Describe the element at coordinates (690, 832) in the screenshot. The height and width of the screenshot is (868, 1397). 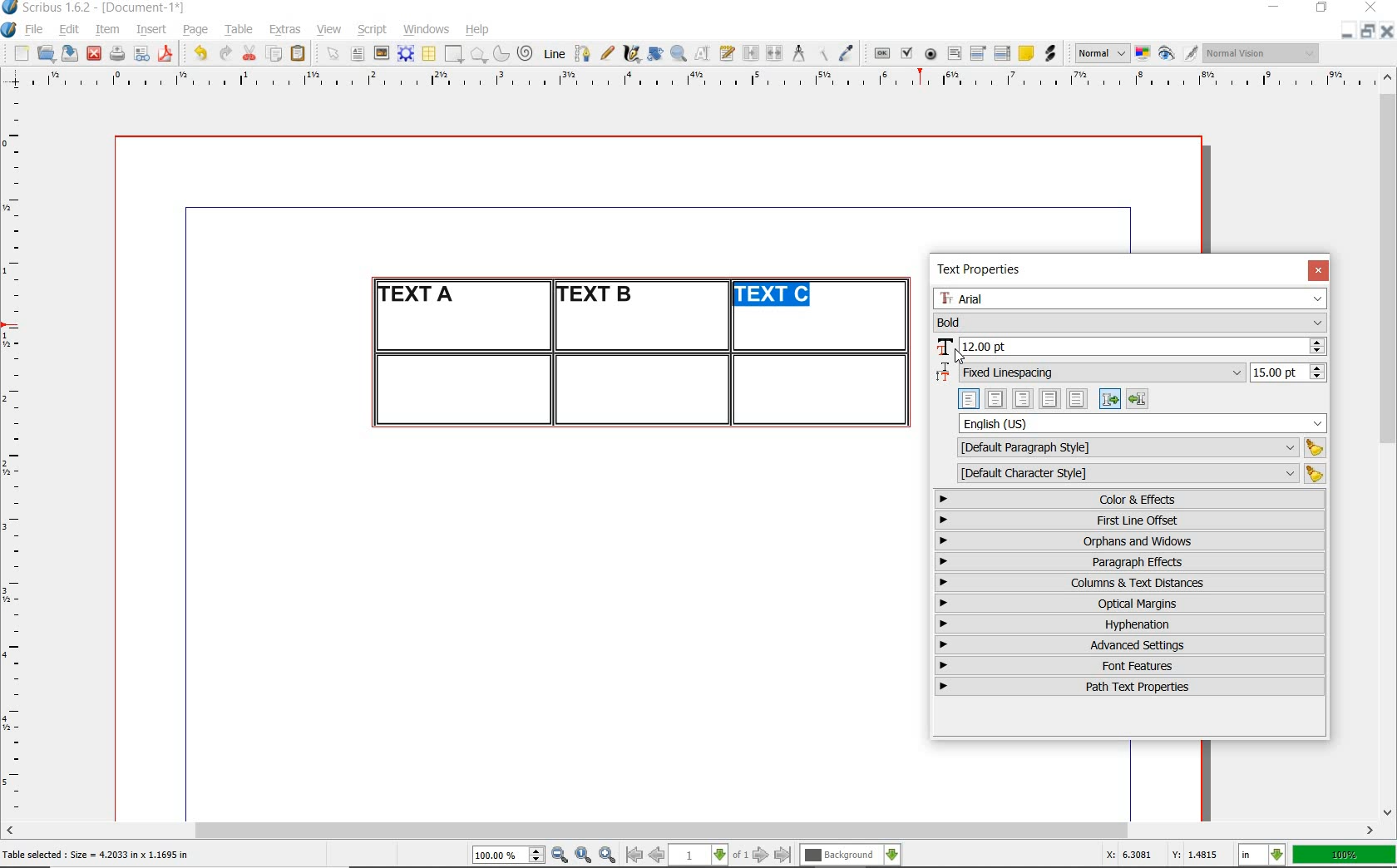
I see `scrollbar` at that location.